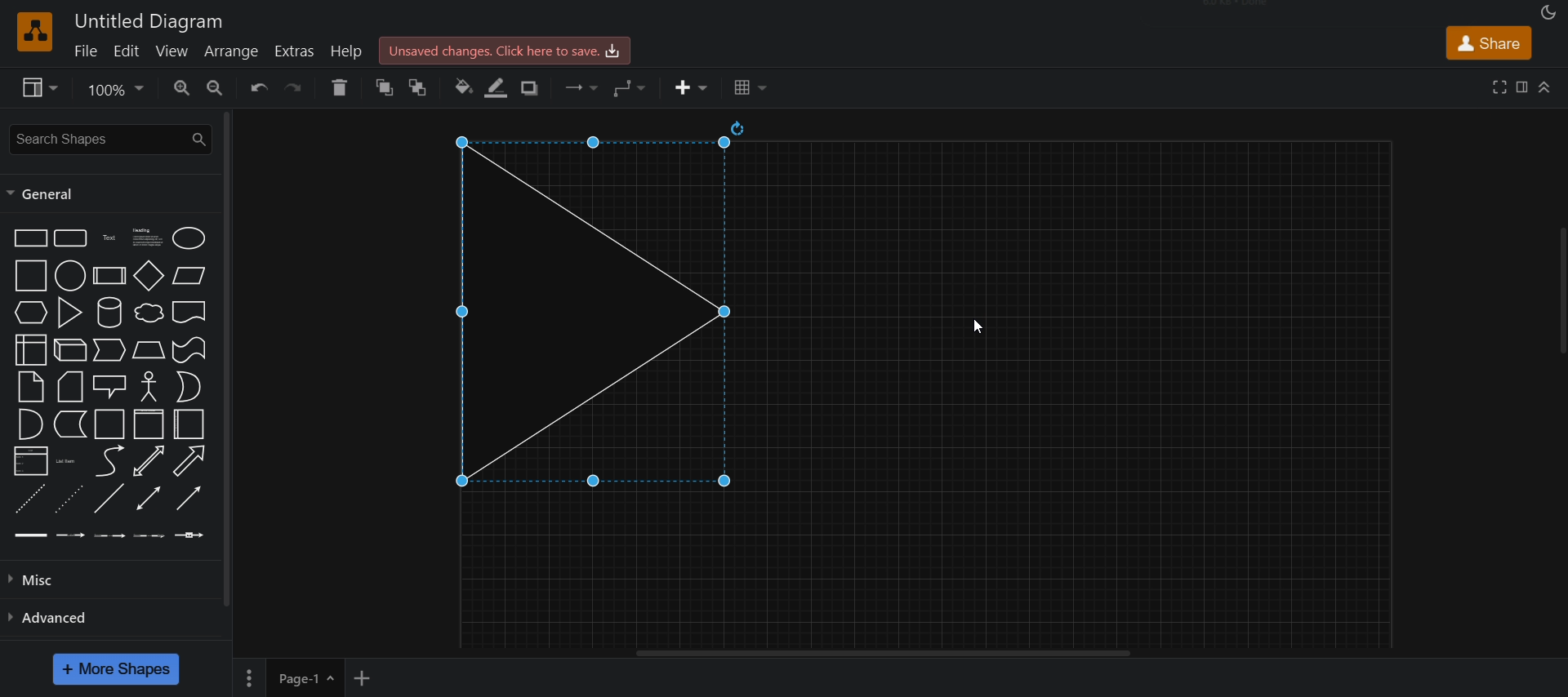  What do you see at coordinates (1497, 87) in the screenshot?
I see `full screen` at bounding box center [1497, 87].